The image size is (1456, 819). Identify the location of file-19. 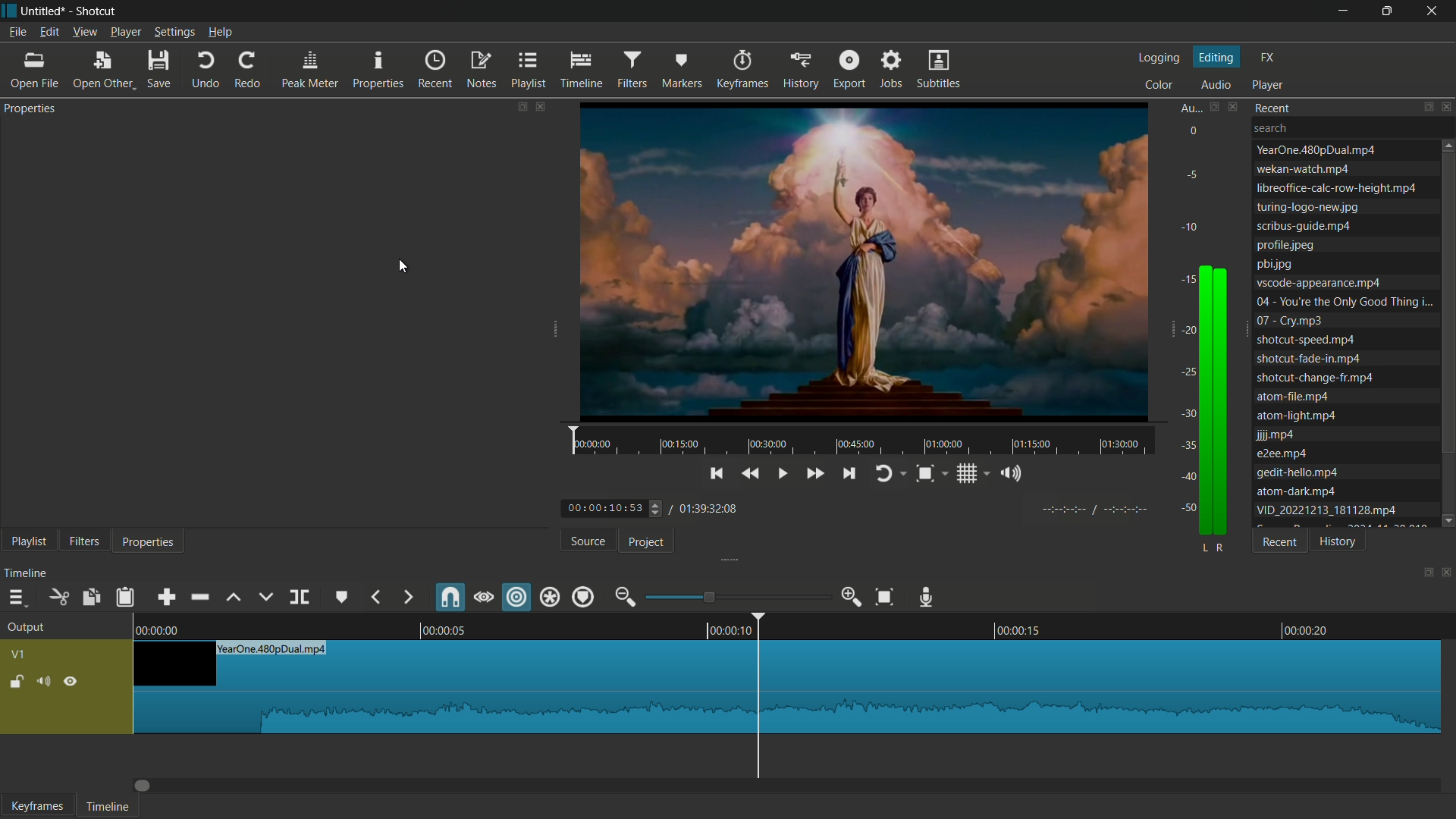
(1295, 491).